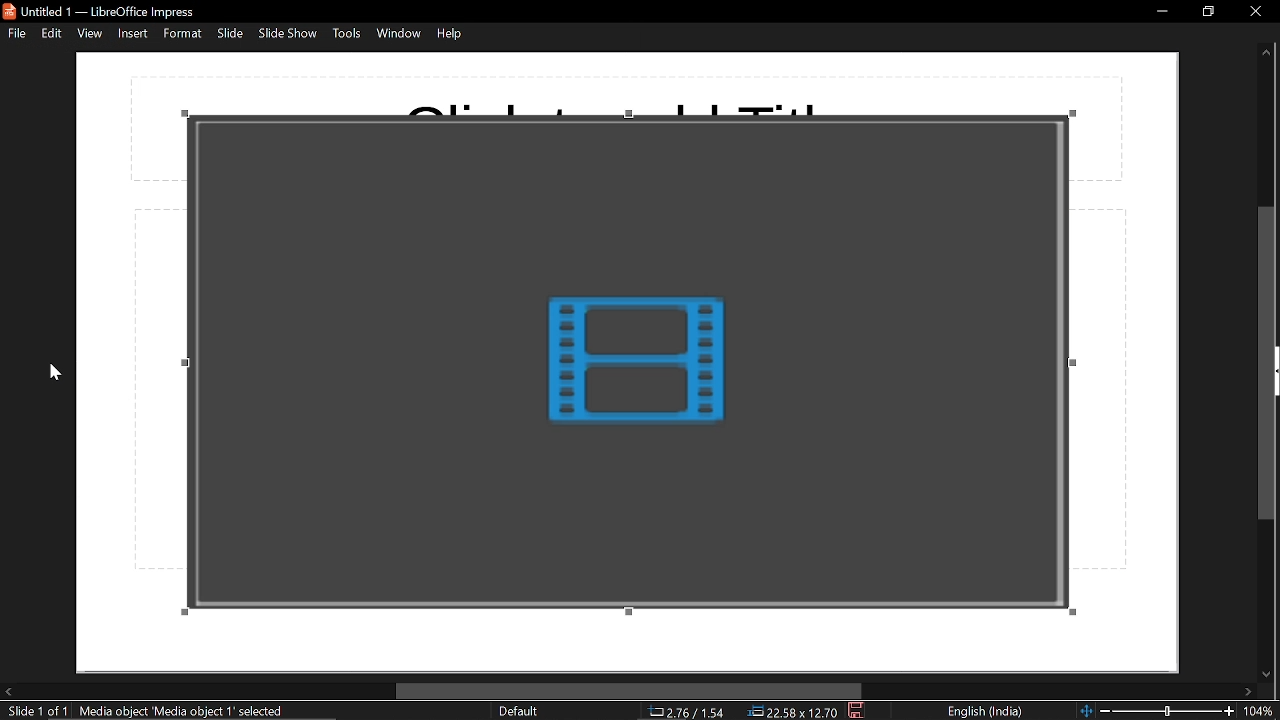  What do you see at coordinates (518, 711) in the screenshot?
I see `slide style` at bounding box center [518, 711].